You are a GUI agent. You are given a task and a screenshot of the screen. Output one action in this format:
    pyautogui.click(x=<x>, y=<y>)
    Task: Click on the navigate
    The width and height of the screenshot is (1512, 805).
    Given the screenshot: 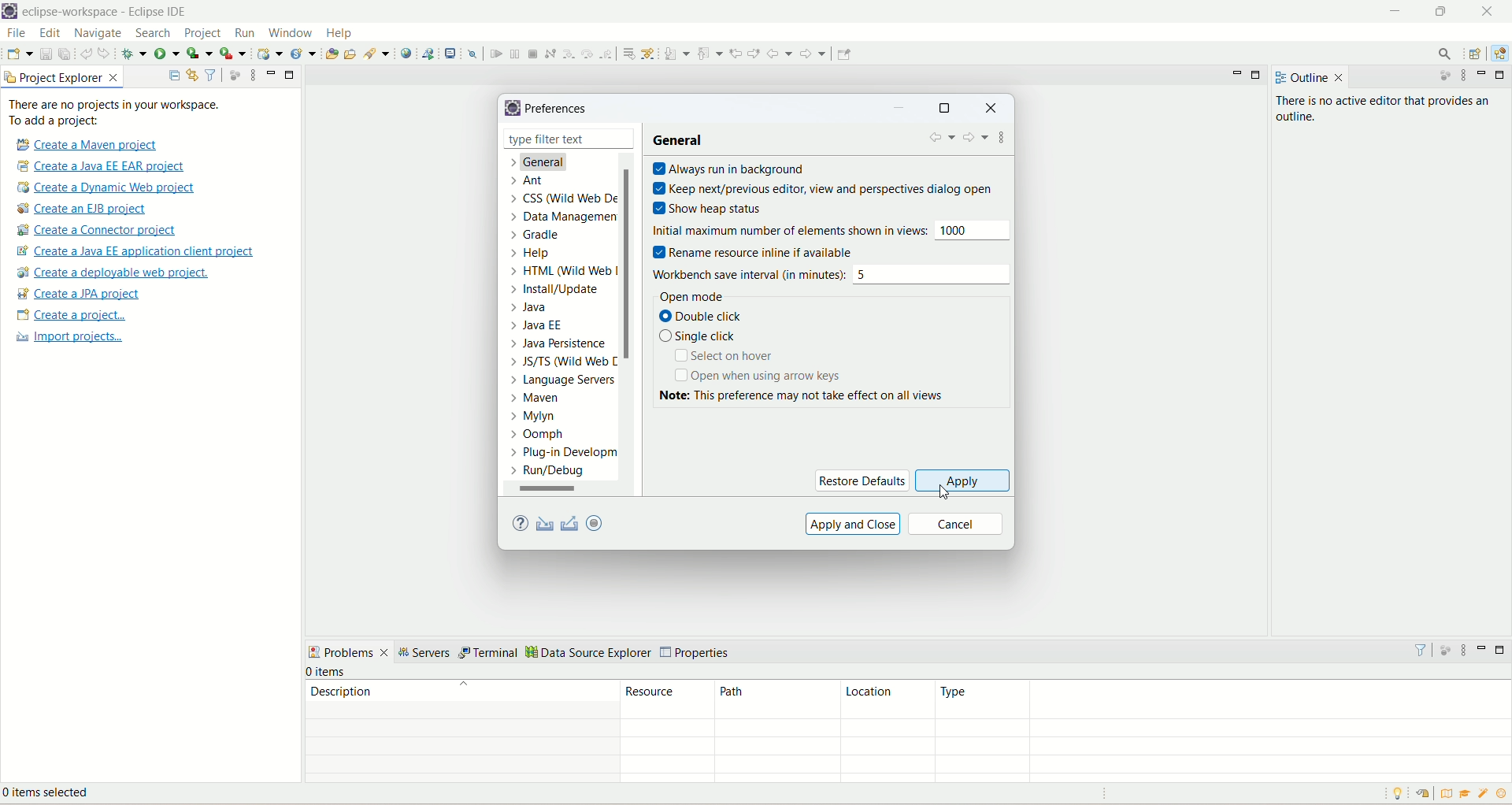 What is the action you would take?
    pyautogui.click(x=101, y=34)
    